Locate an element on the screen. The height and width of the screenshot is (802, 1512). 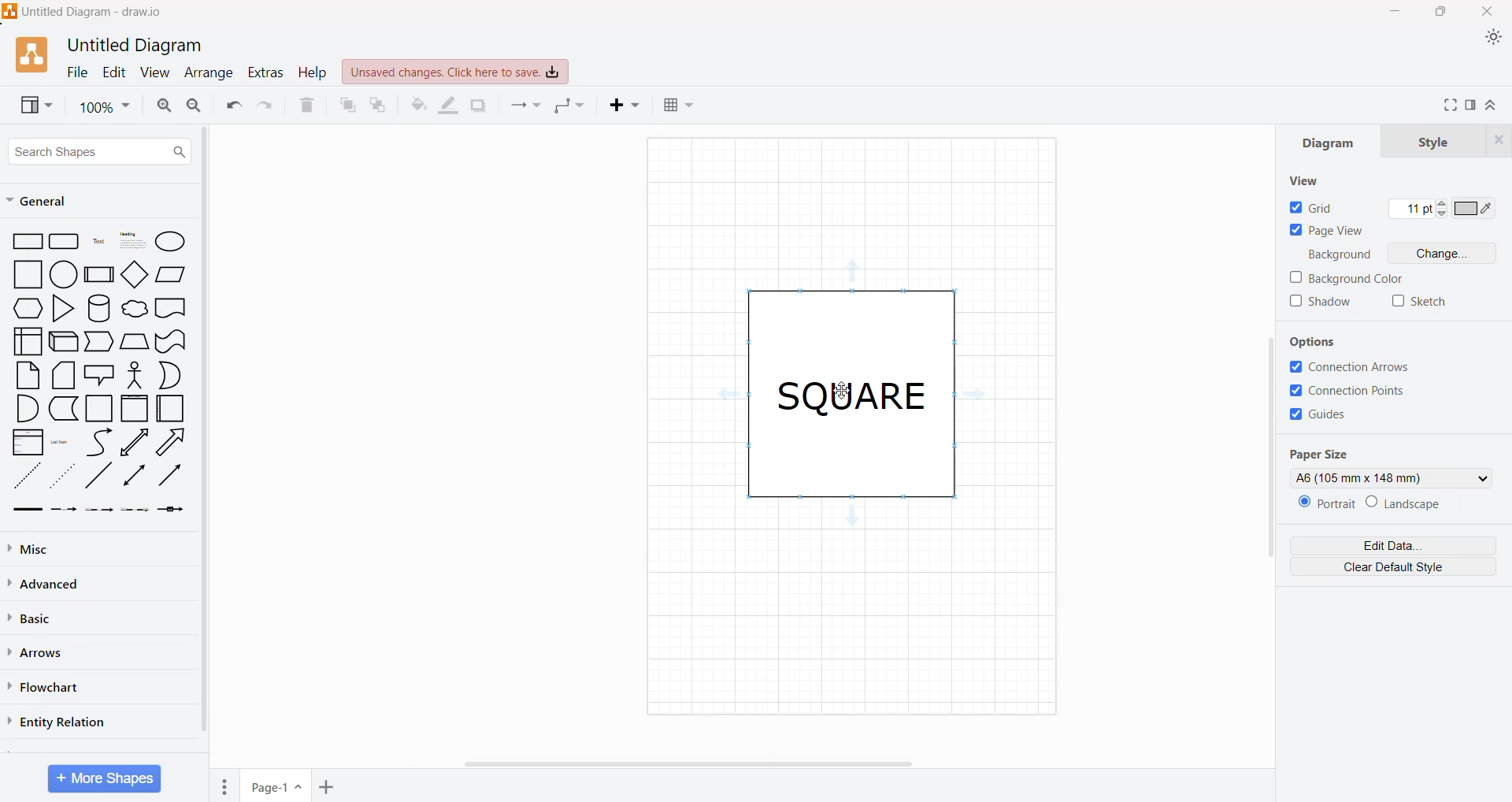
diagonal line is located at coordinates (100, 475).